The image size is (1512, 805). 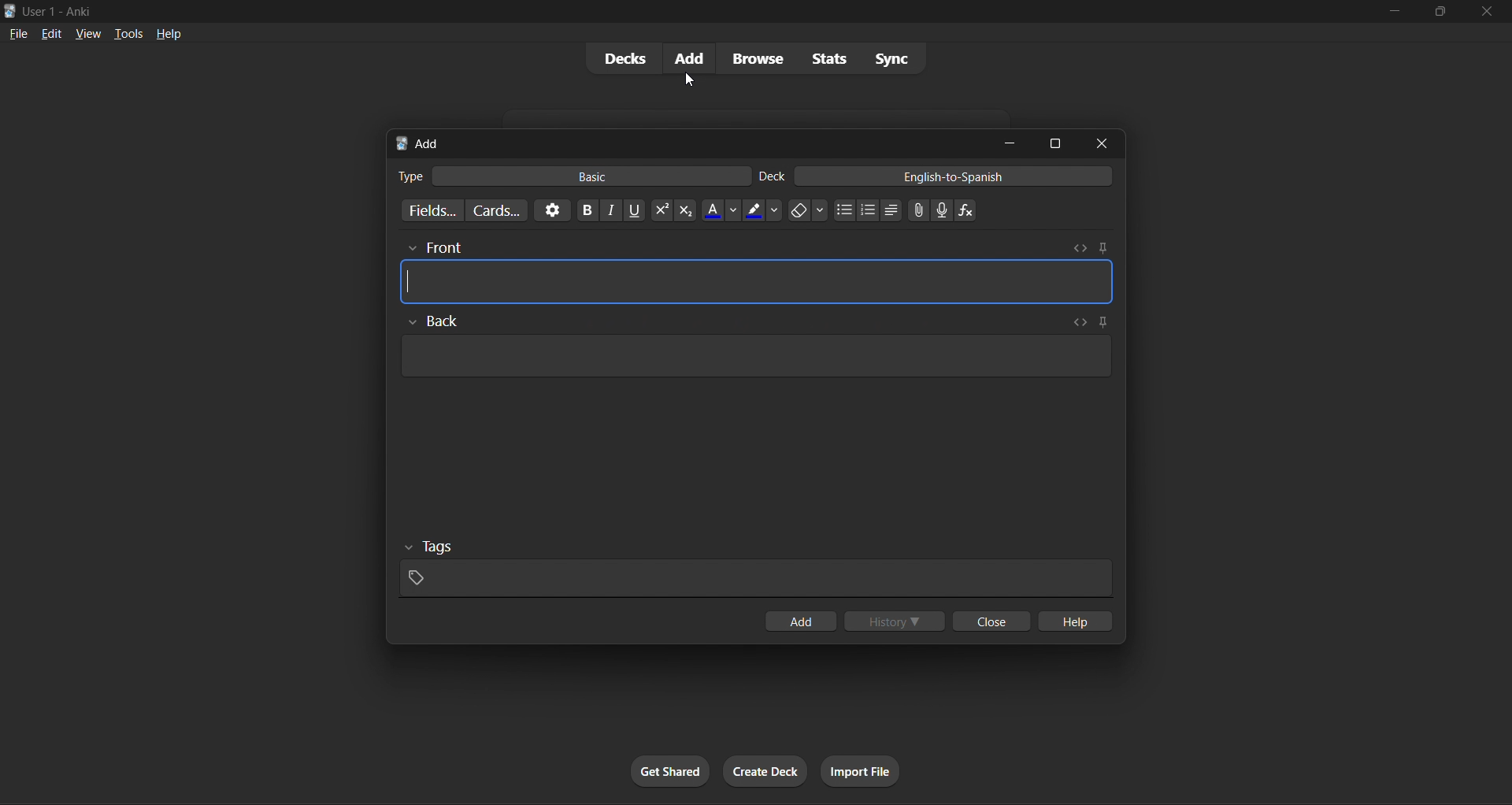 What do you see at coordinates (120, 33) in the screenshot?
I see `tools` at bounding box center [120, 33].